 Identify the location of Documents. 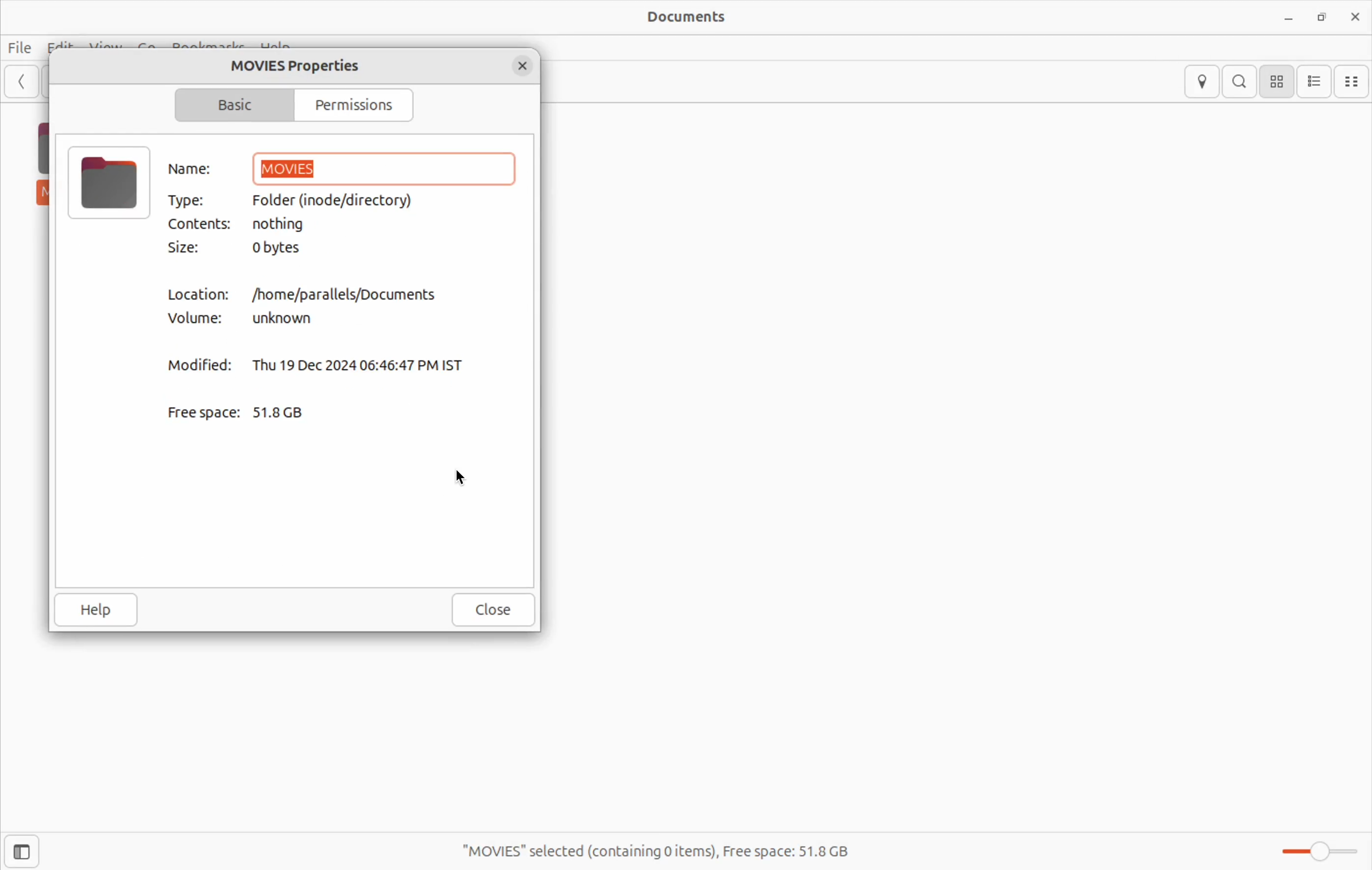
(1353, 80).